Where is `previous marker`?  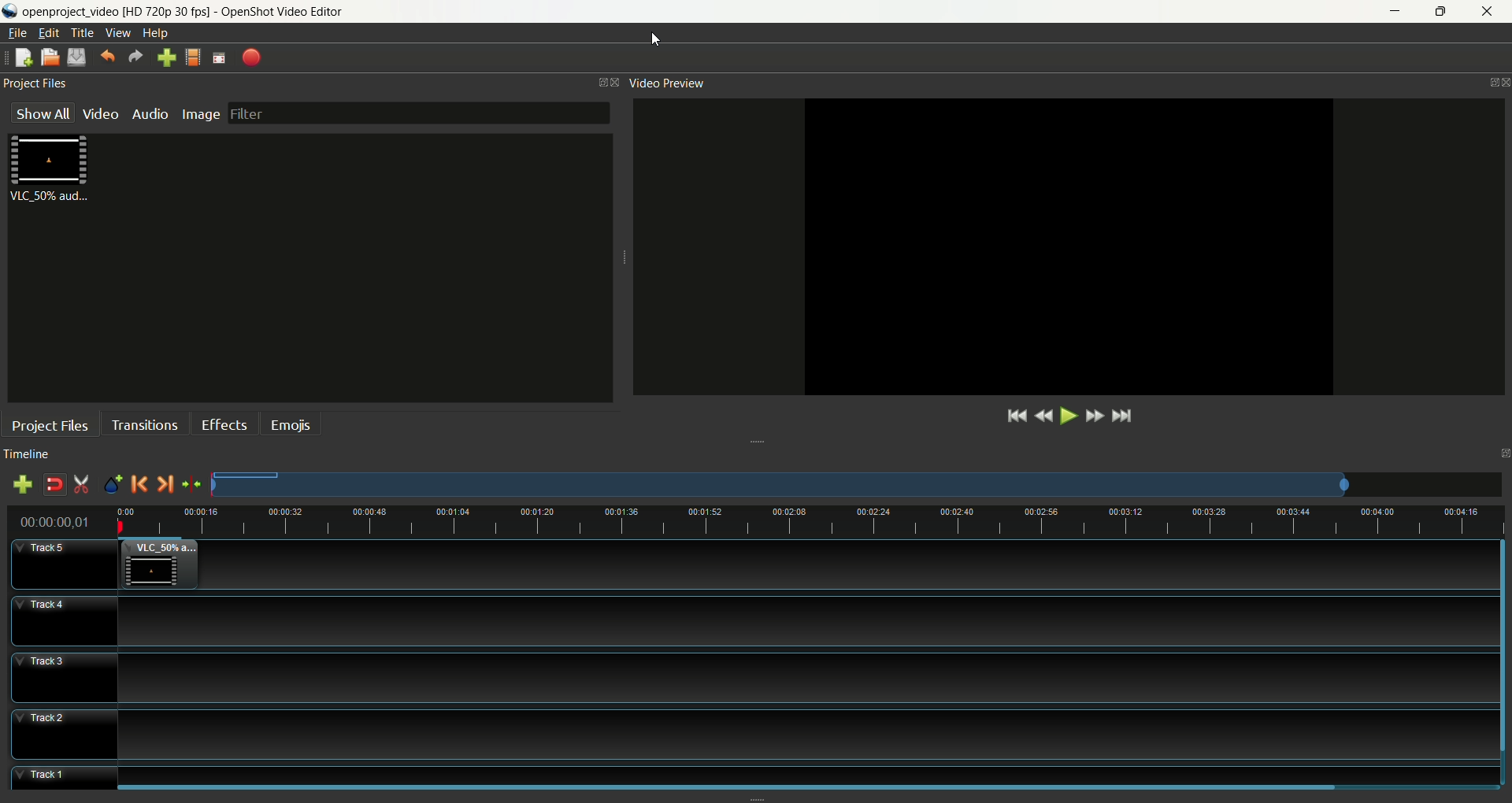 previous marker is located at coordinates (139, 484).